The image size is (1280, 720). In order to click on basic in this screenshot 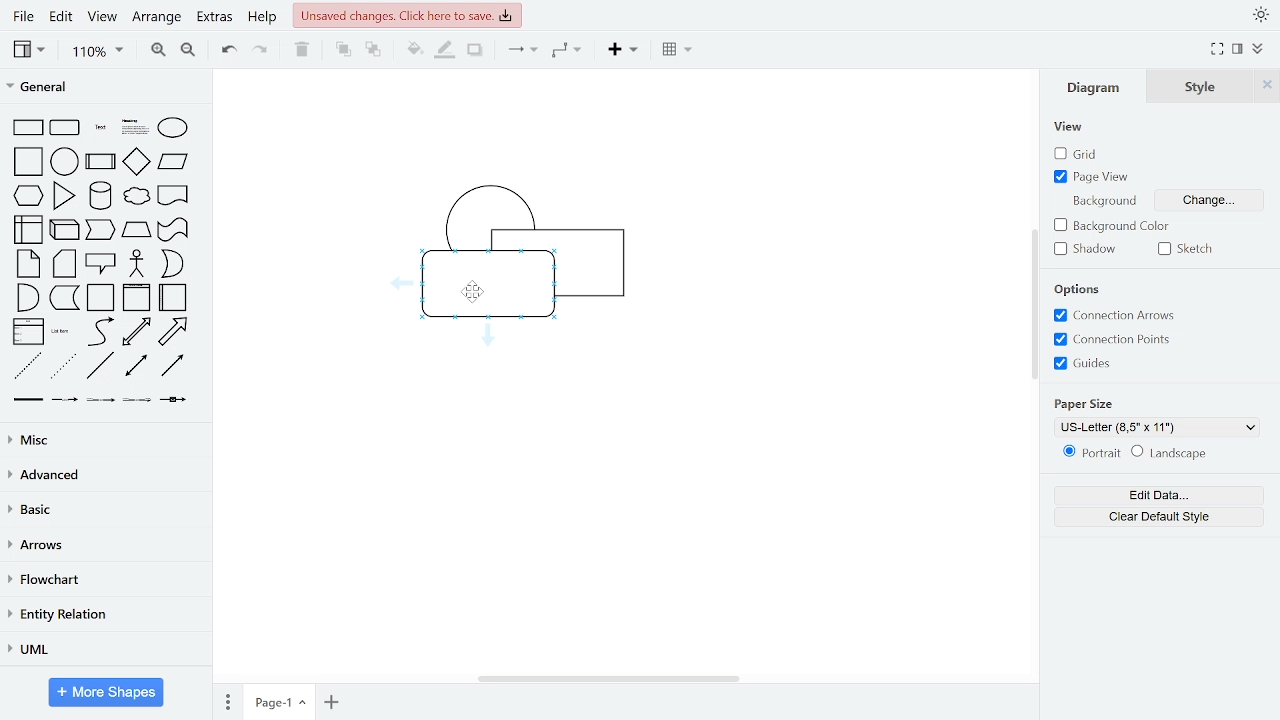, I will do `click(106, 509)`.